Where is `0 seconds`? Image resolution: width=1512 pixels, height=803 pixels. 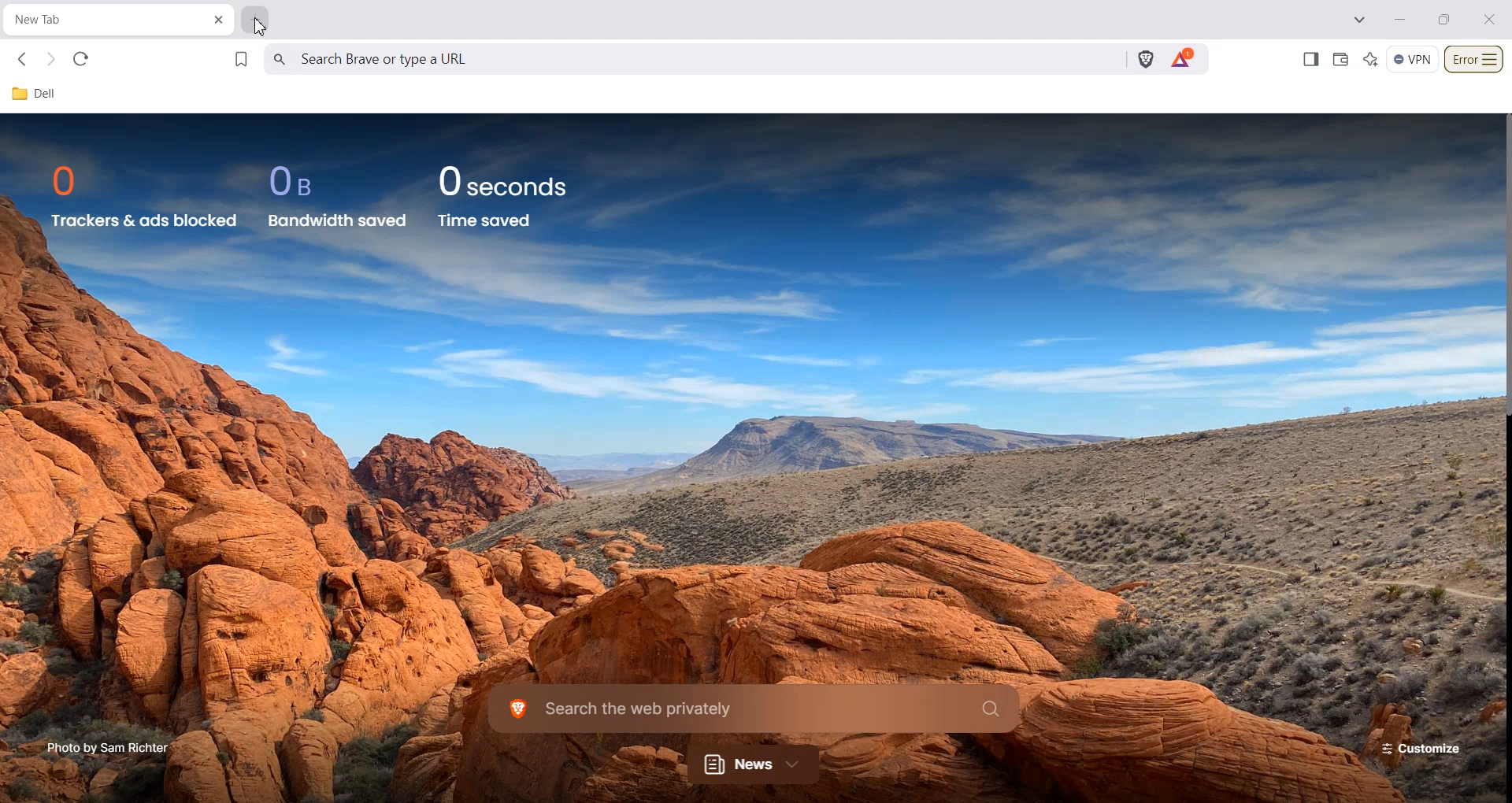 0 seconds is located at coordinates (513, 179).